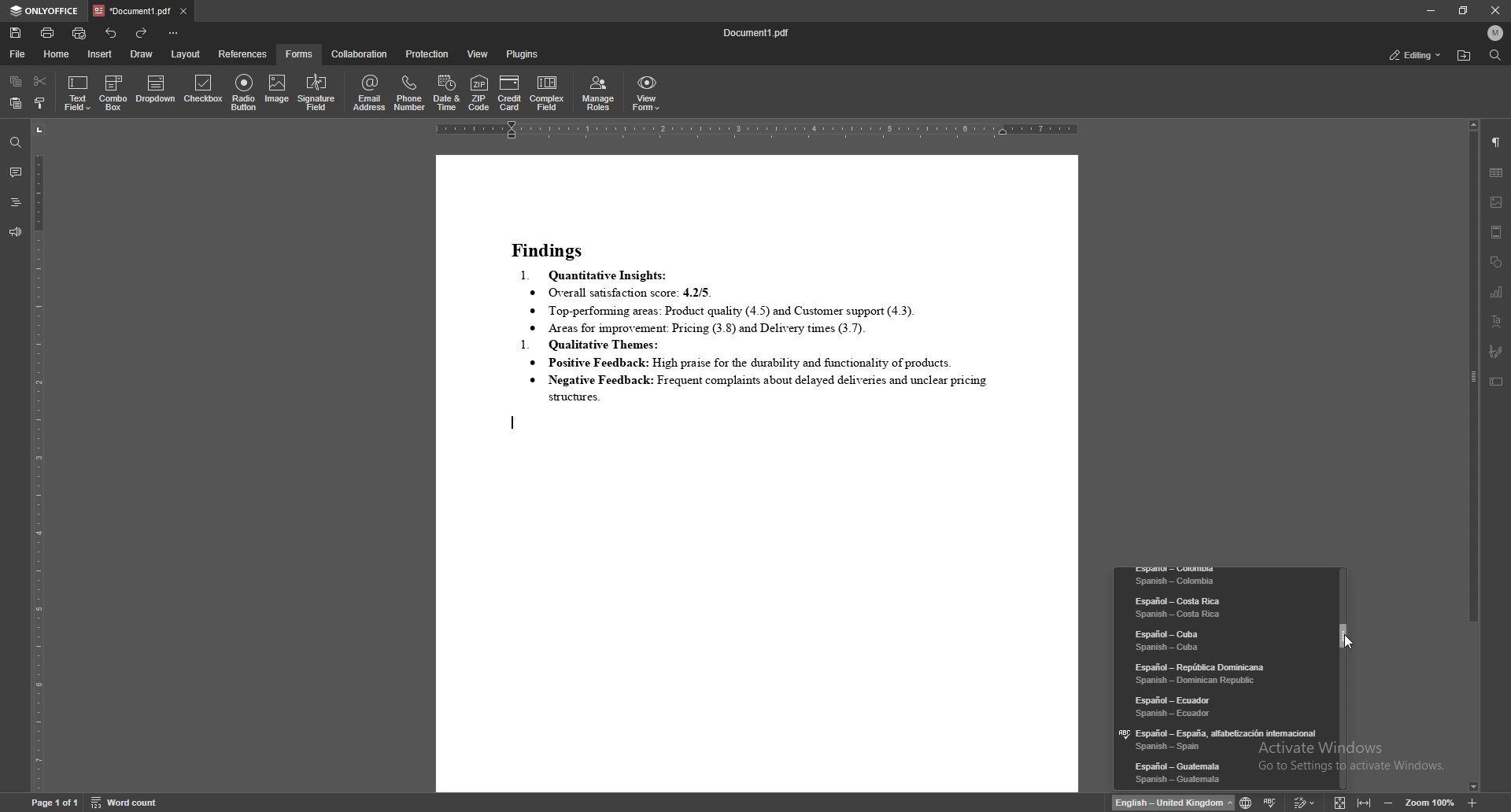 This screenshot has width=1511, height=812. I want to click on checkbox, so click(203, 91).